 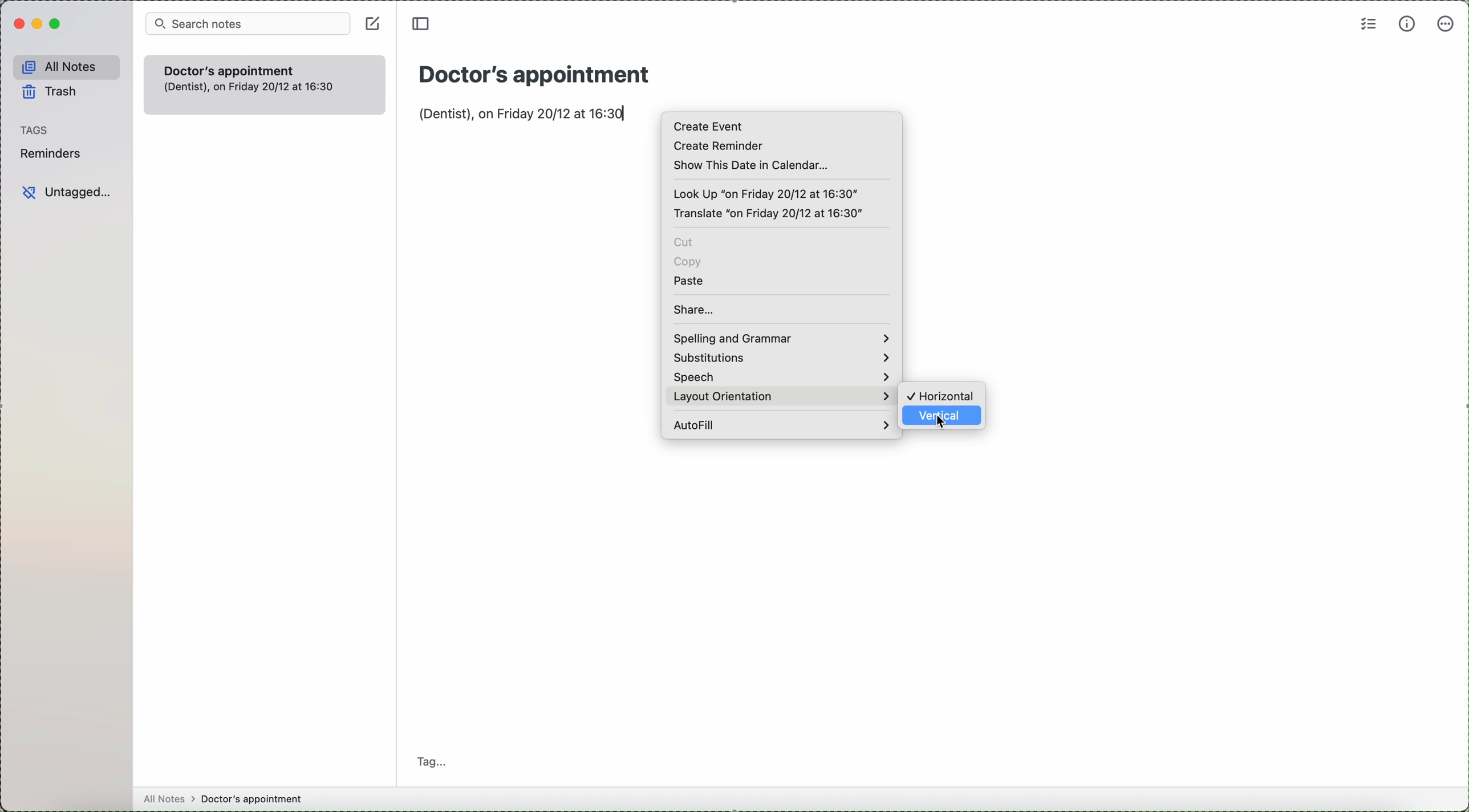 I want to click on cut, so click(x=685, y=242).